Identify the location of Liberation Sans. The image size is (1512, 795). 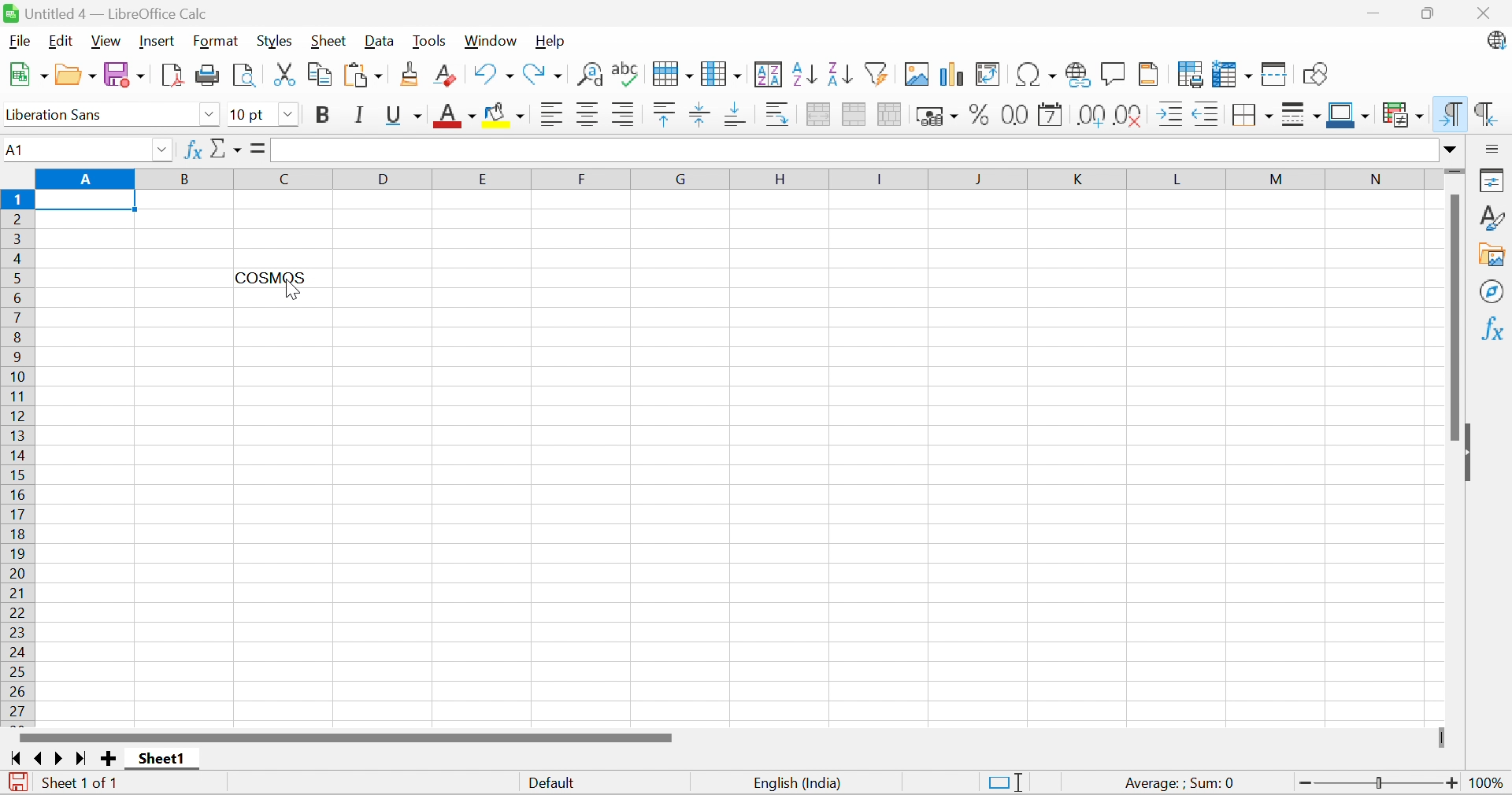
(65, 115).